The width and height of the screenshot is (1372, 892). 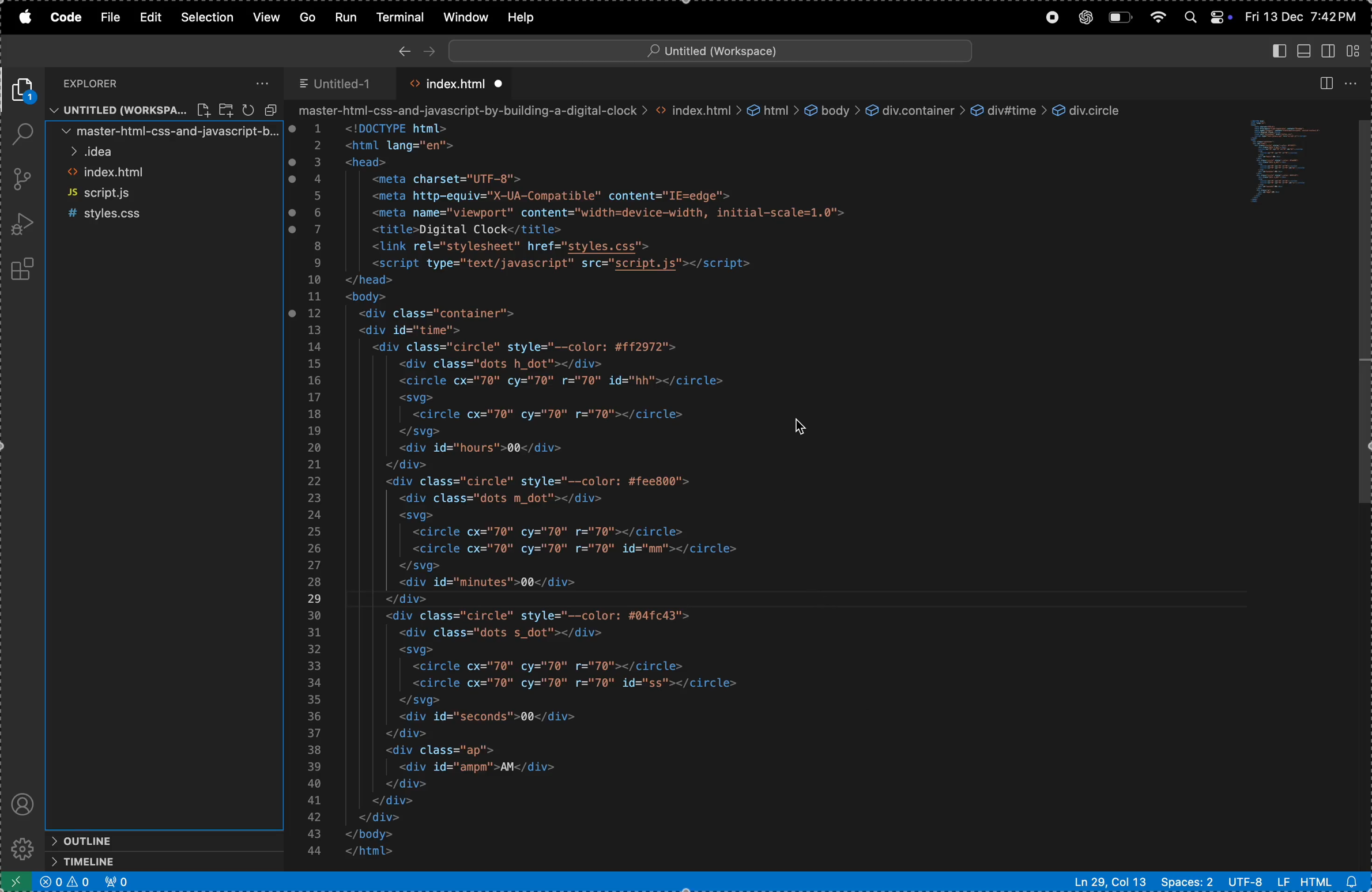 What do you see at coordinates (342, 80) in the screenshot?
I see `untitled 1` at bounding box center [342, 80].